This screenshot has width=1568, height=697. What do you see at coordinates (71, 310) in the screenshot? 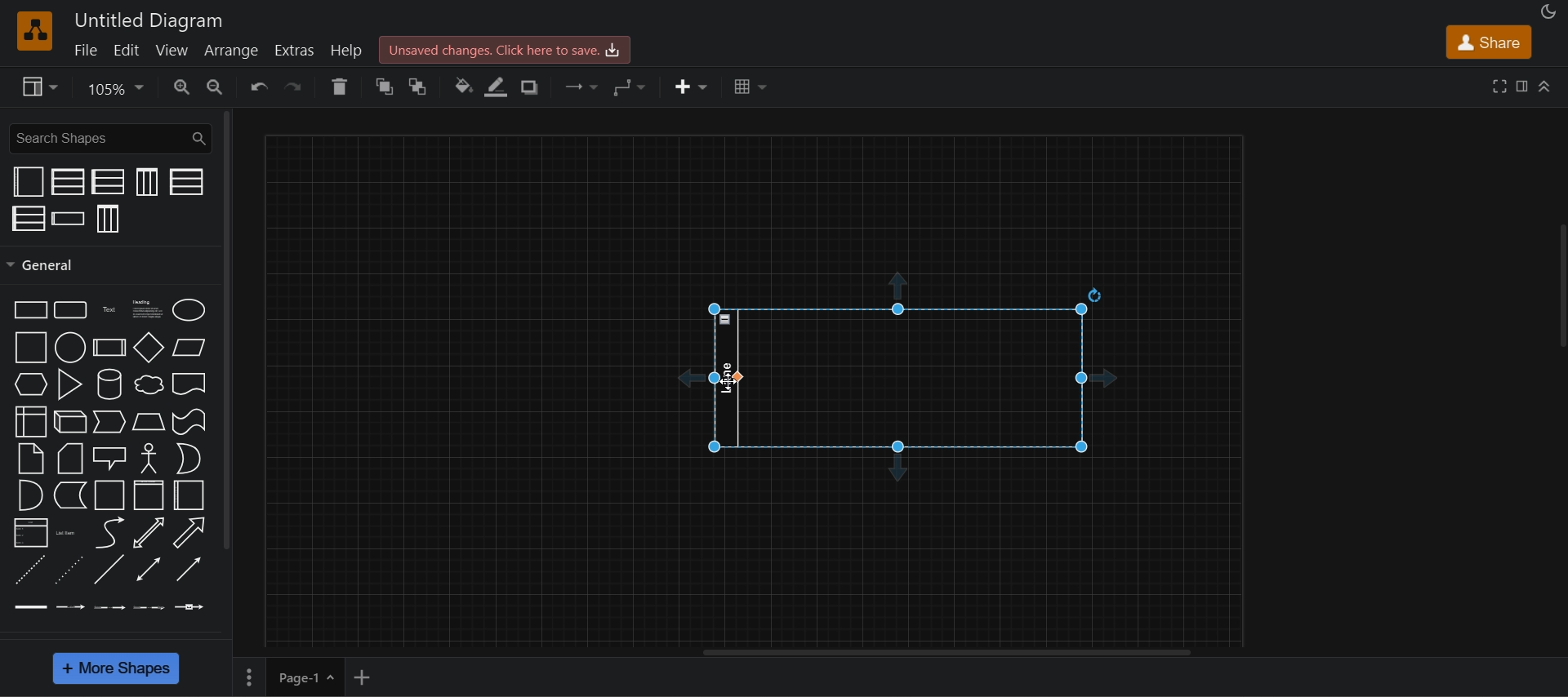
I see `Rounded rectangle` at bounding box center [71, 310].